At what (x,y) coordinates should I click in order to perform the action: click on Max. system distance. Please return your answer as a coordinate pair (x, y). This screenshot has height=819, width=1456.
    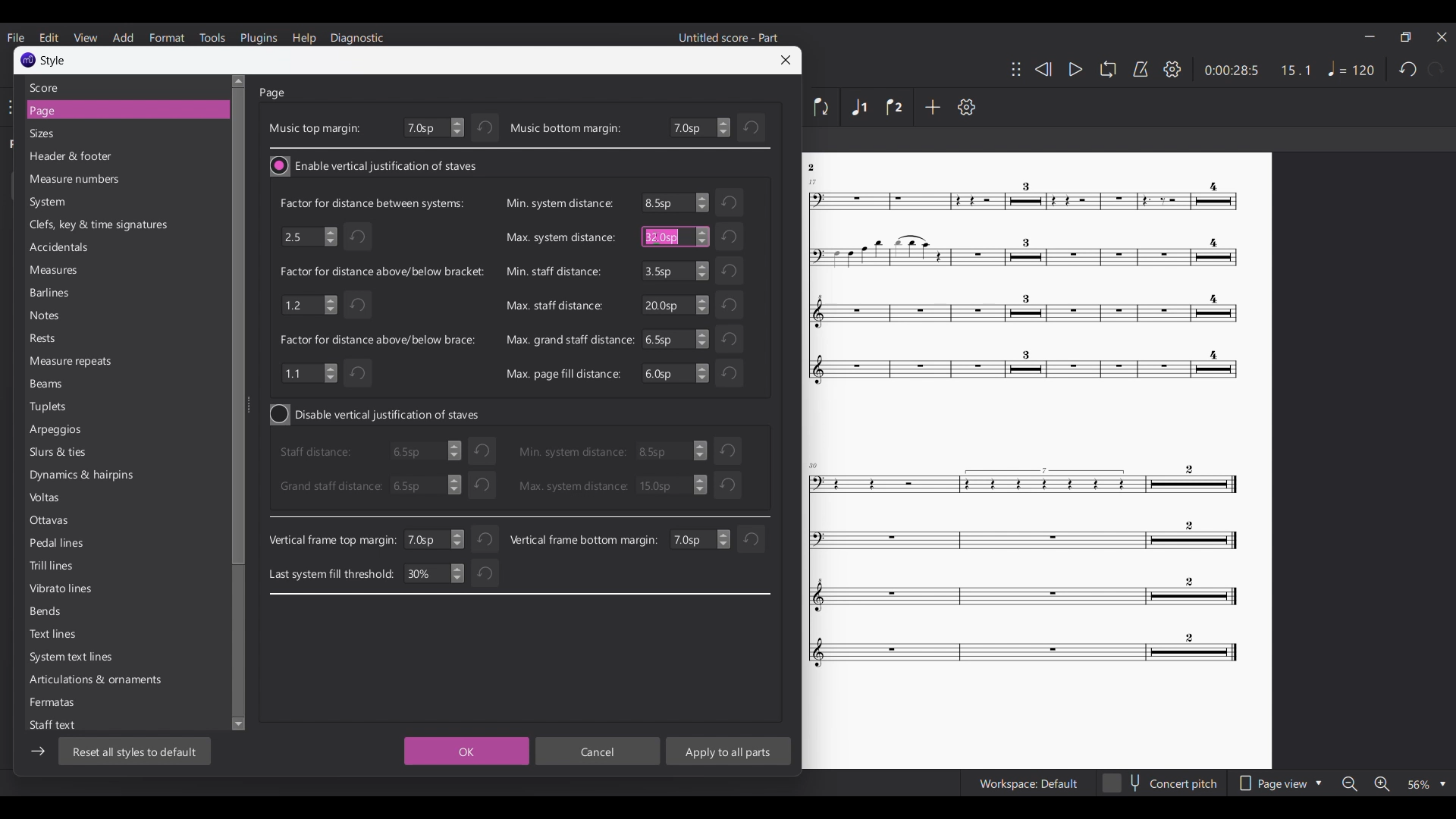
    Looking at the image, I should click on (572, 486).